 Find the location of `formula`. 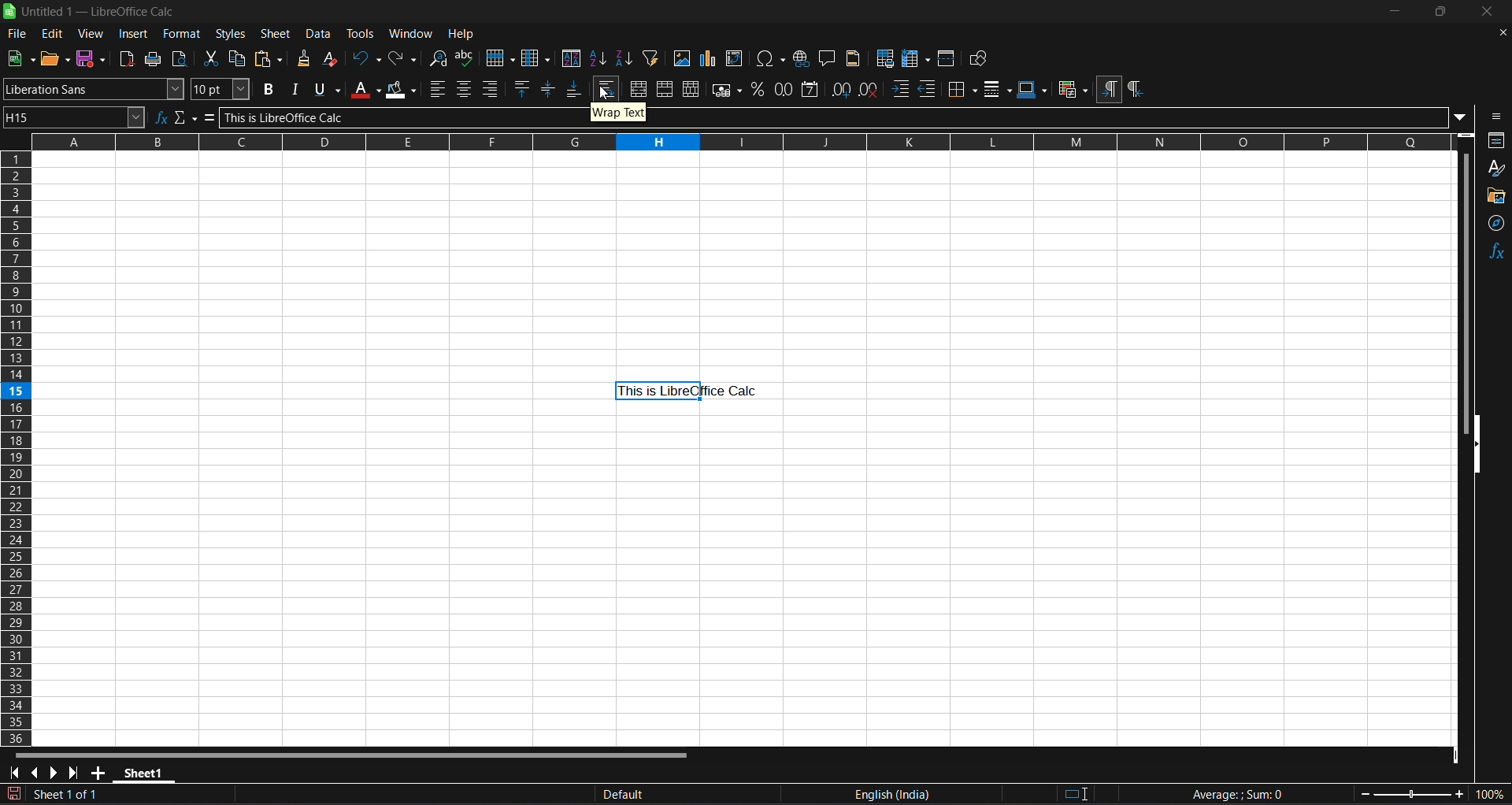

formula is located at coordinates (1236, 793).